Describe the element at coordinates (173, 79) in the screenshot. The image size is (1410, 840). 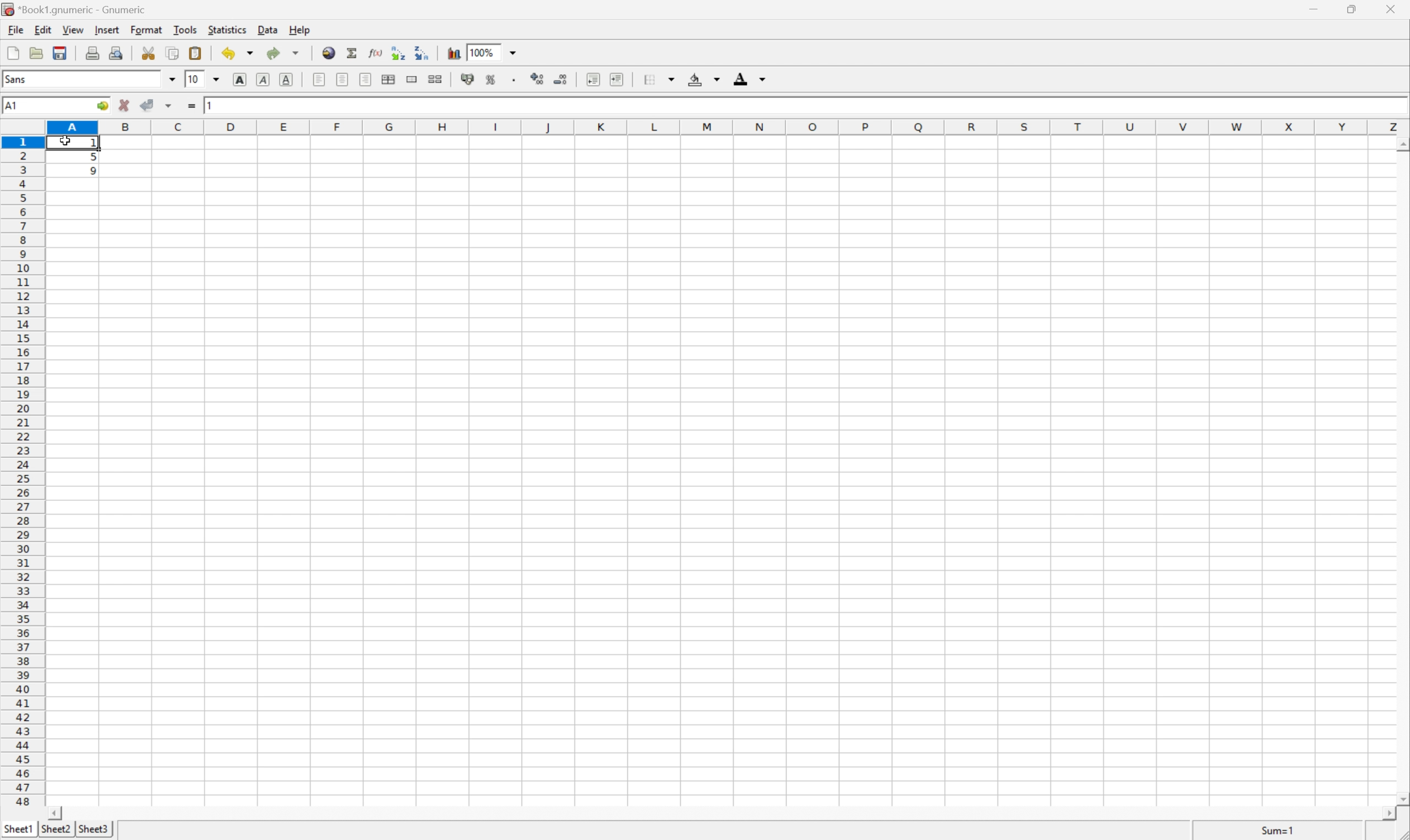
I see `drop down` at that location.